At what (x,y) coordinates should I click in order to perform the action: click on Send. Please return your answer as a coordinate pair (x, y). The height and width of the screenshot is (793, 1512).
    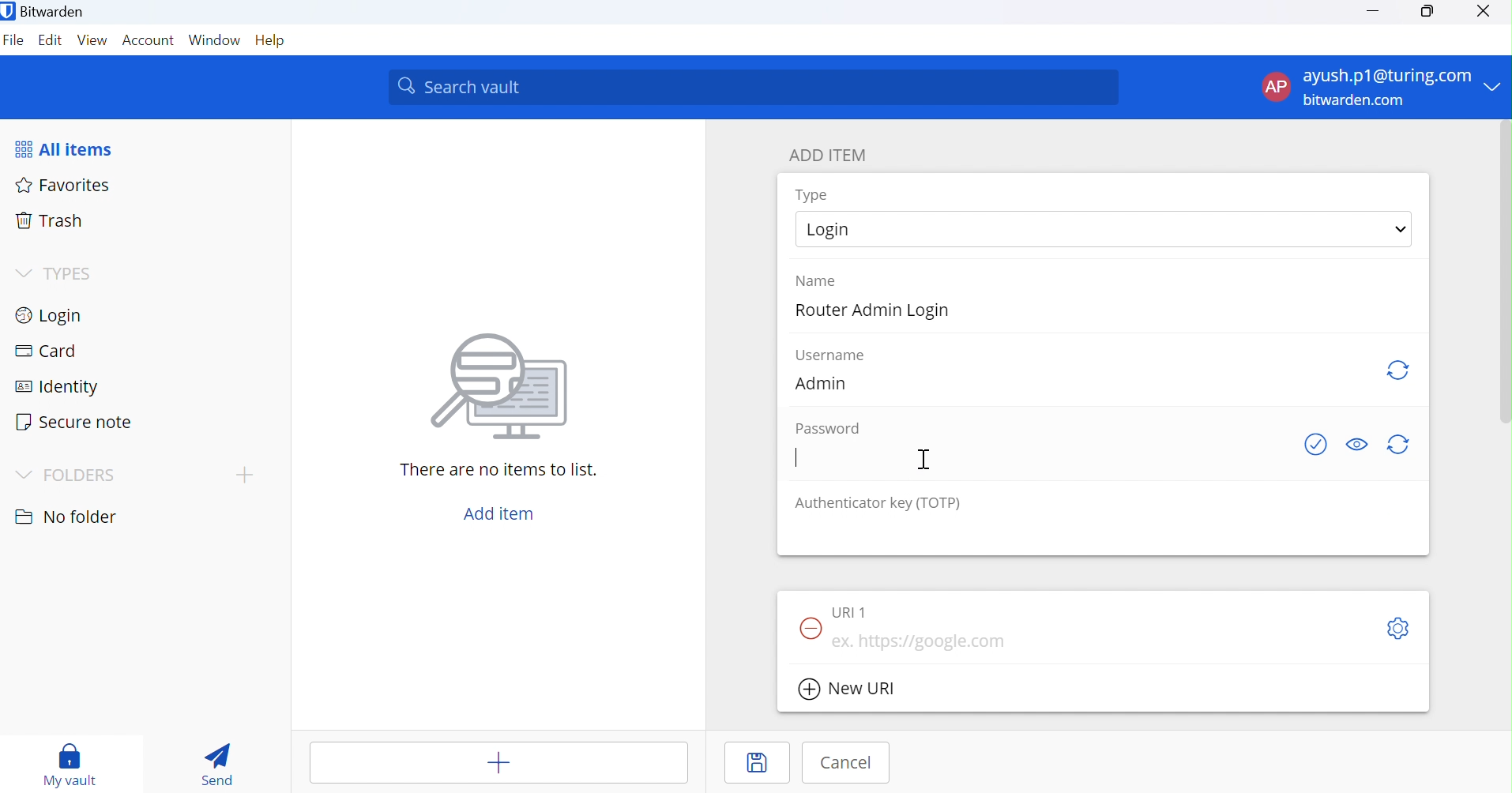
    Looking at the image, I should click on (219, 765).